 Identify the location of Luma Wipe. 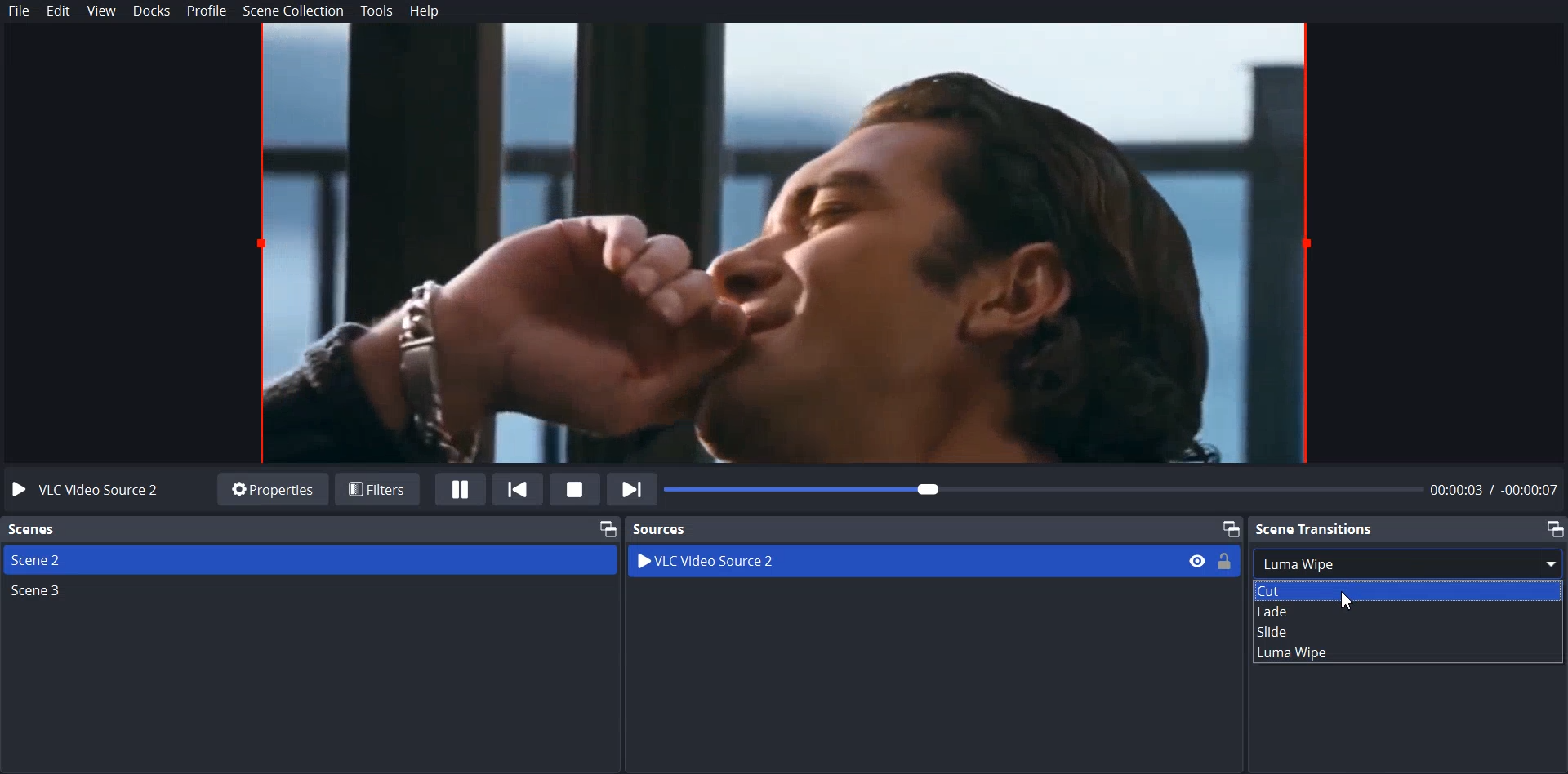
(1405, 653).